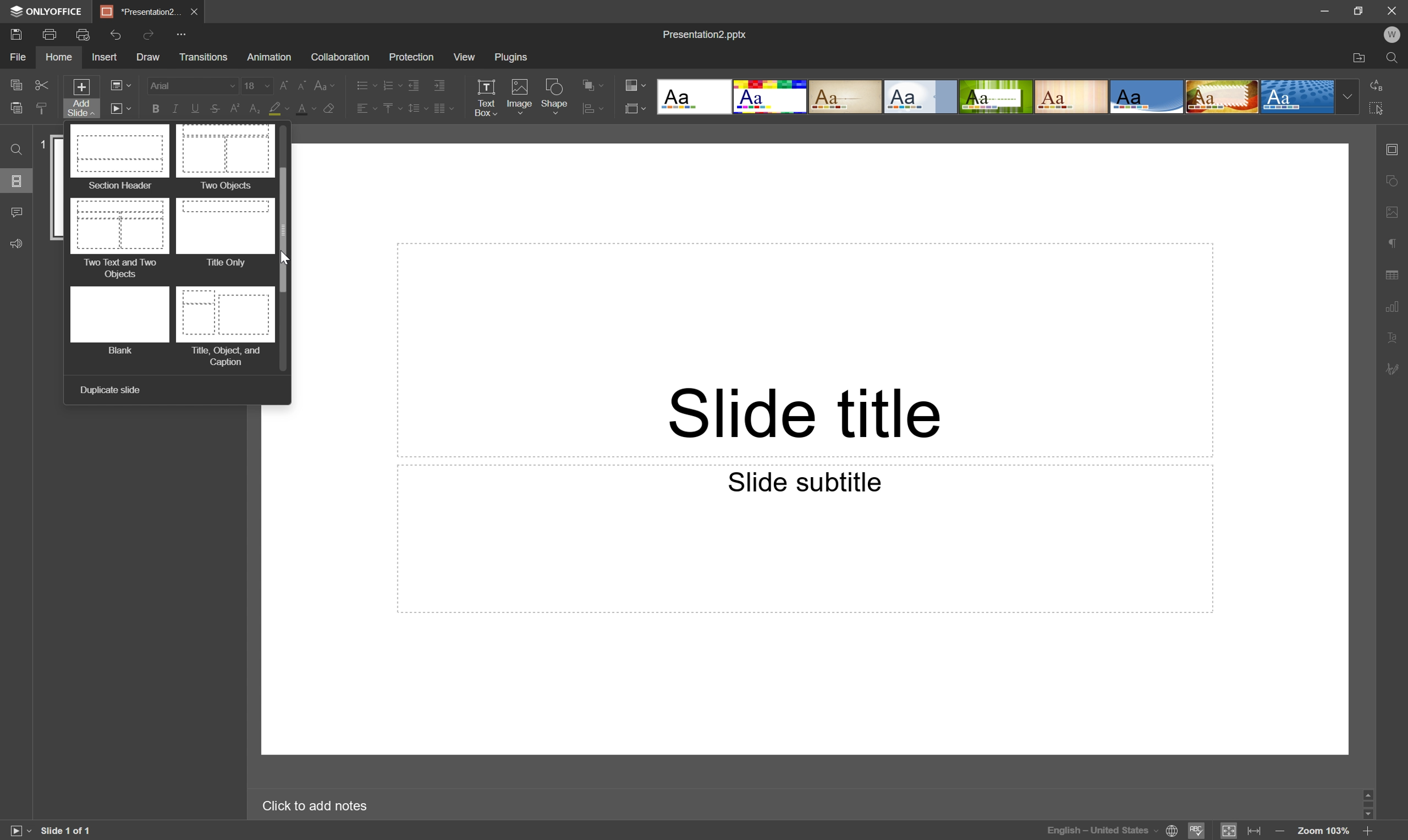 Image resolution: width=1408 pixels, height=840 pixels. Describe the element at coordinates (61, 58) in the screenshot. I see `Home` at that location.